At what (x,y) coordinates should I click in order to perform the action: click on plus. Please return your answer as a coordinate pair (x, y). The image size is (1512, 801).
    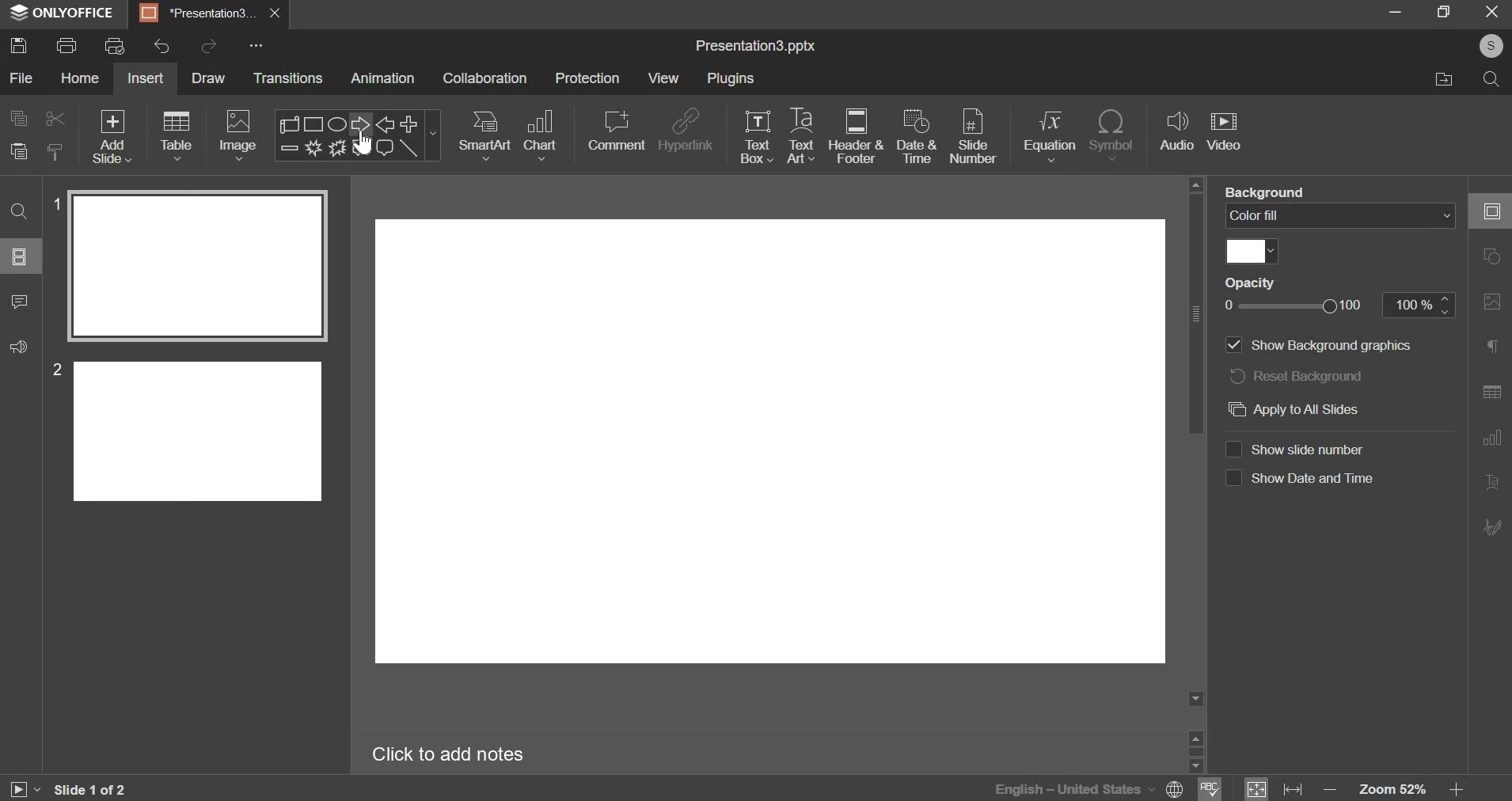
    Looking at the image, I should click on (409, 123).